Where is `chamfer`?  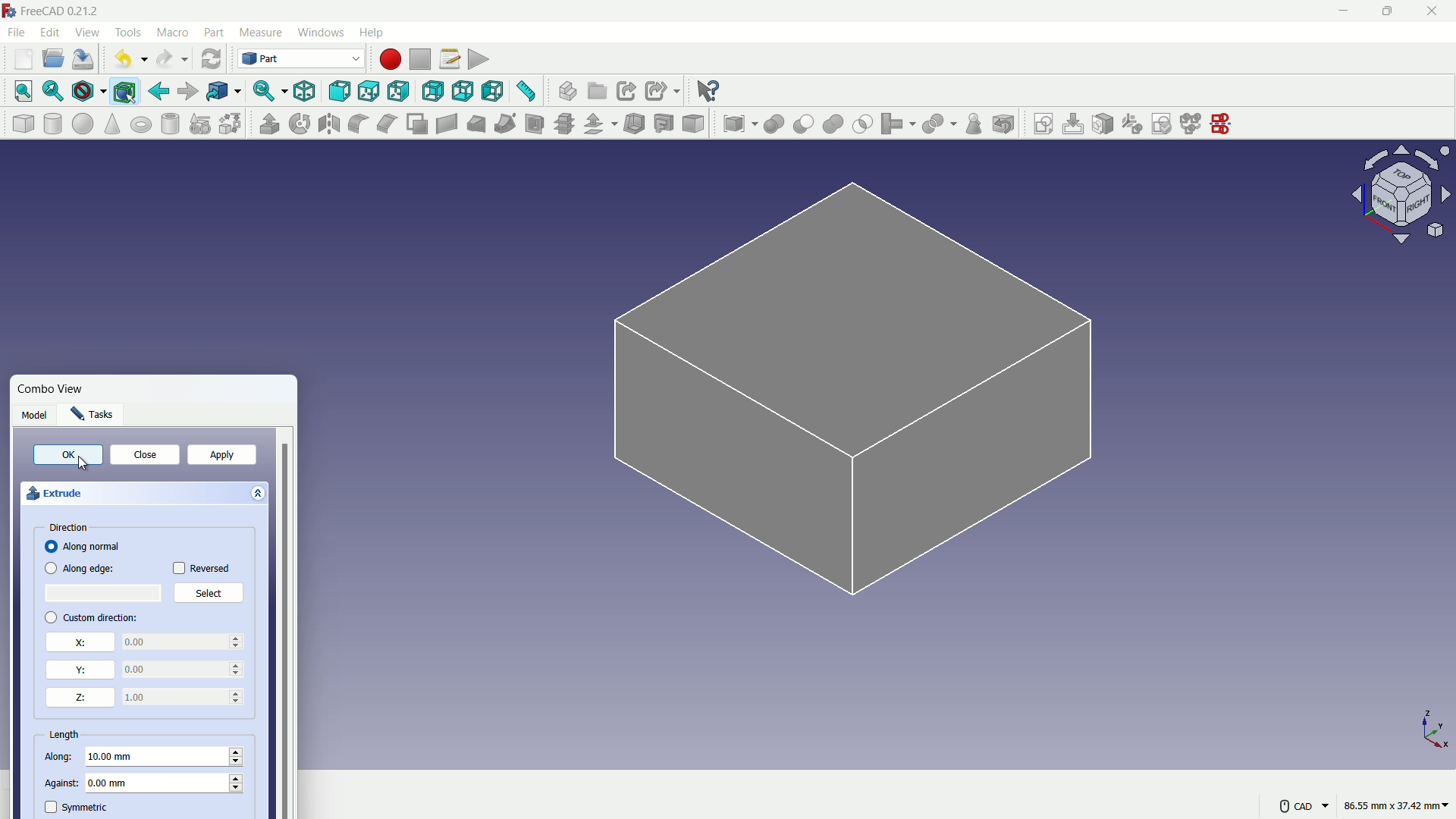 chamfer is located at coordinates (387, 124).